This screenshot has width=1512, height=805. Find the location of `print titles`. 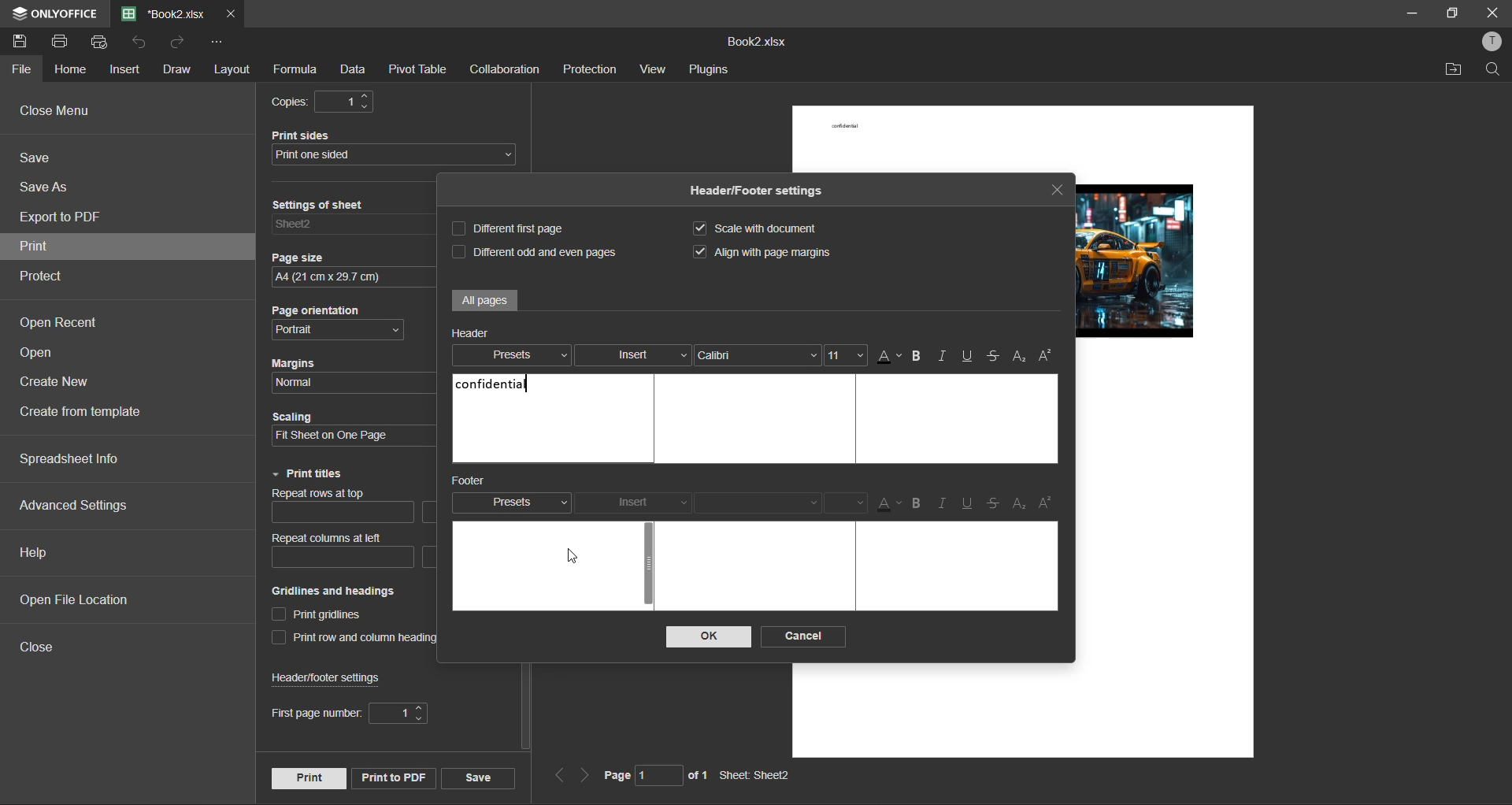

print titles is located at coordinates (313, 474).